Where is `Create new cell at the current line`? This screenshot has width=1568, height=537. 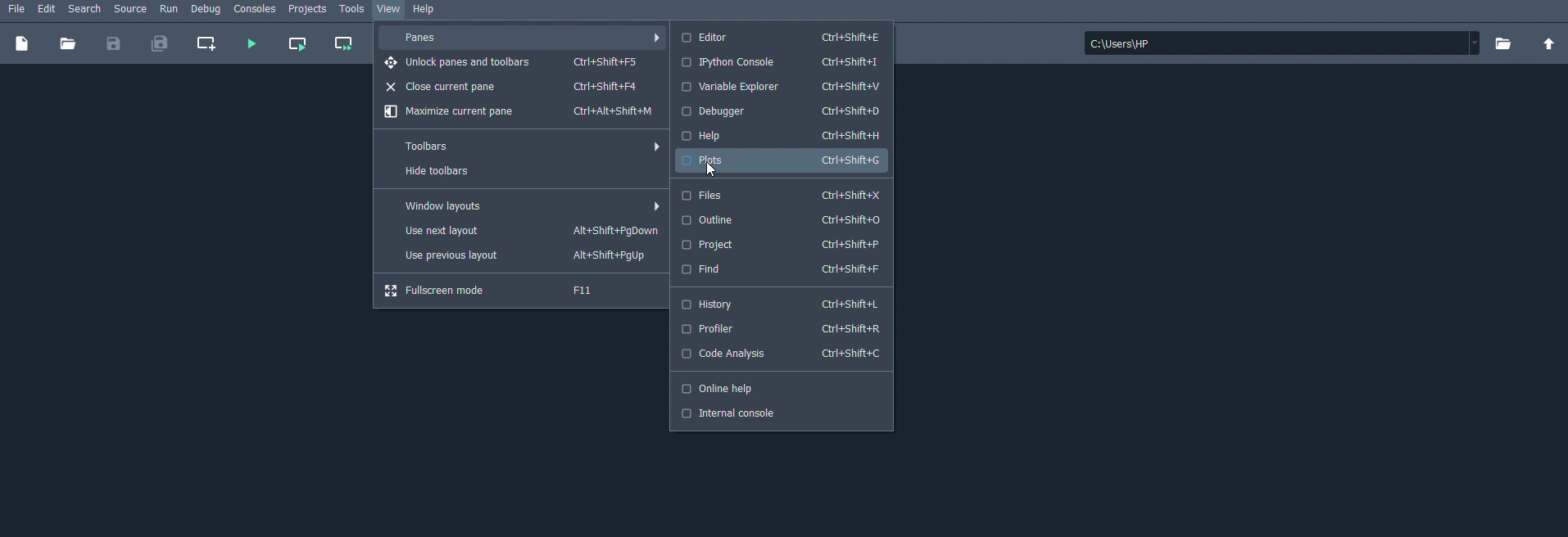 Create new cell at the current line is located at coordinates (211, 43).